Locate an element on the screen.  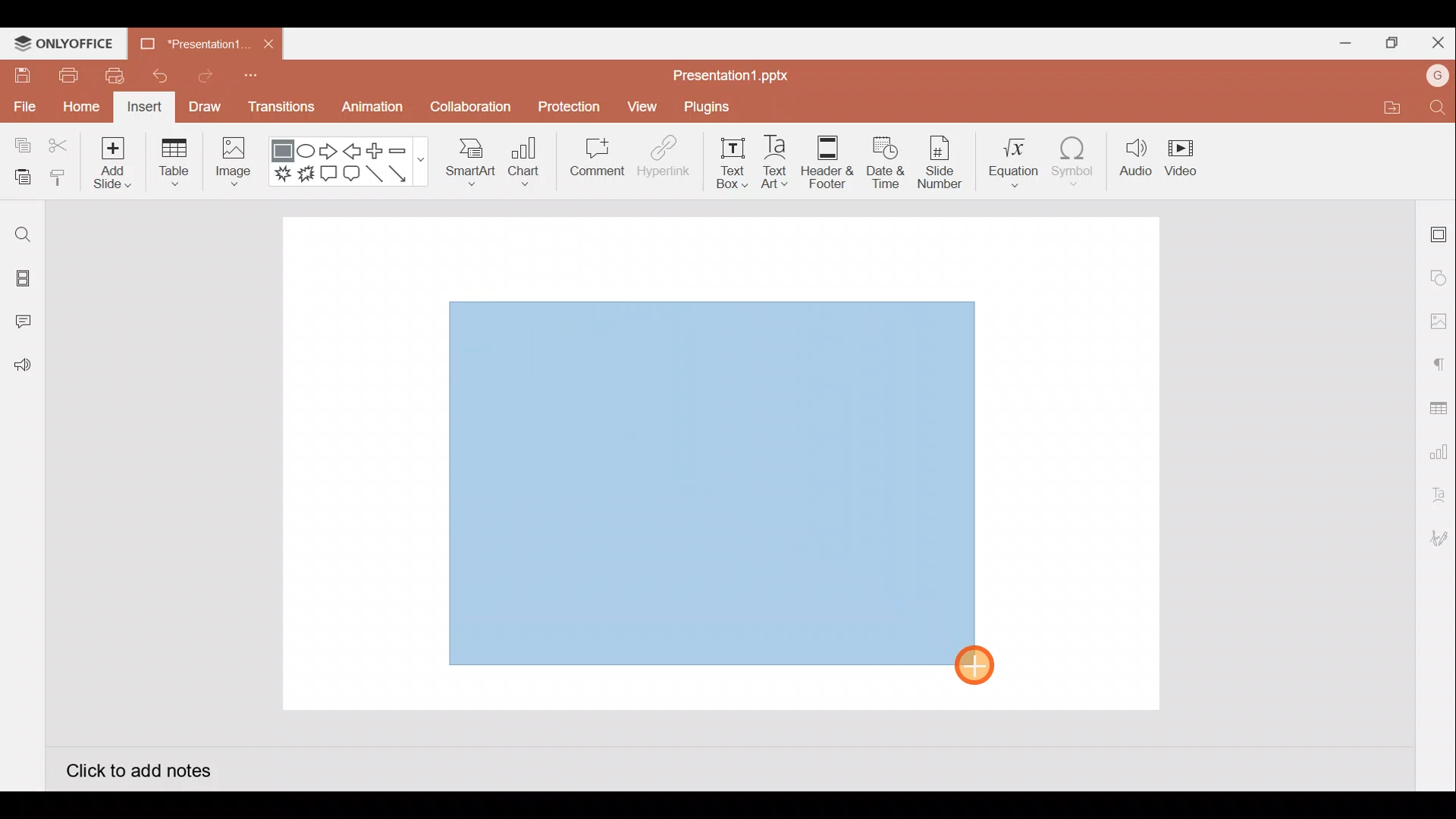
Slide settings is located at coordinates (1439, 231).